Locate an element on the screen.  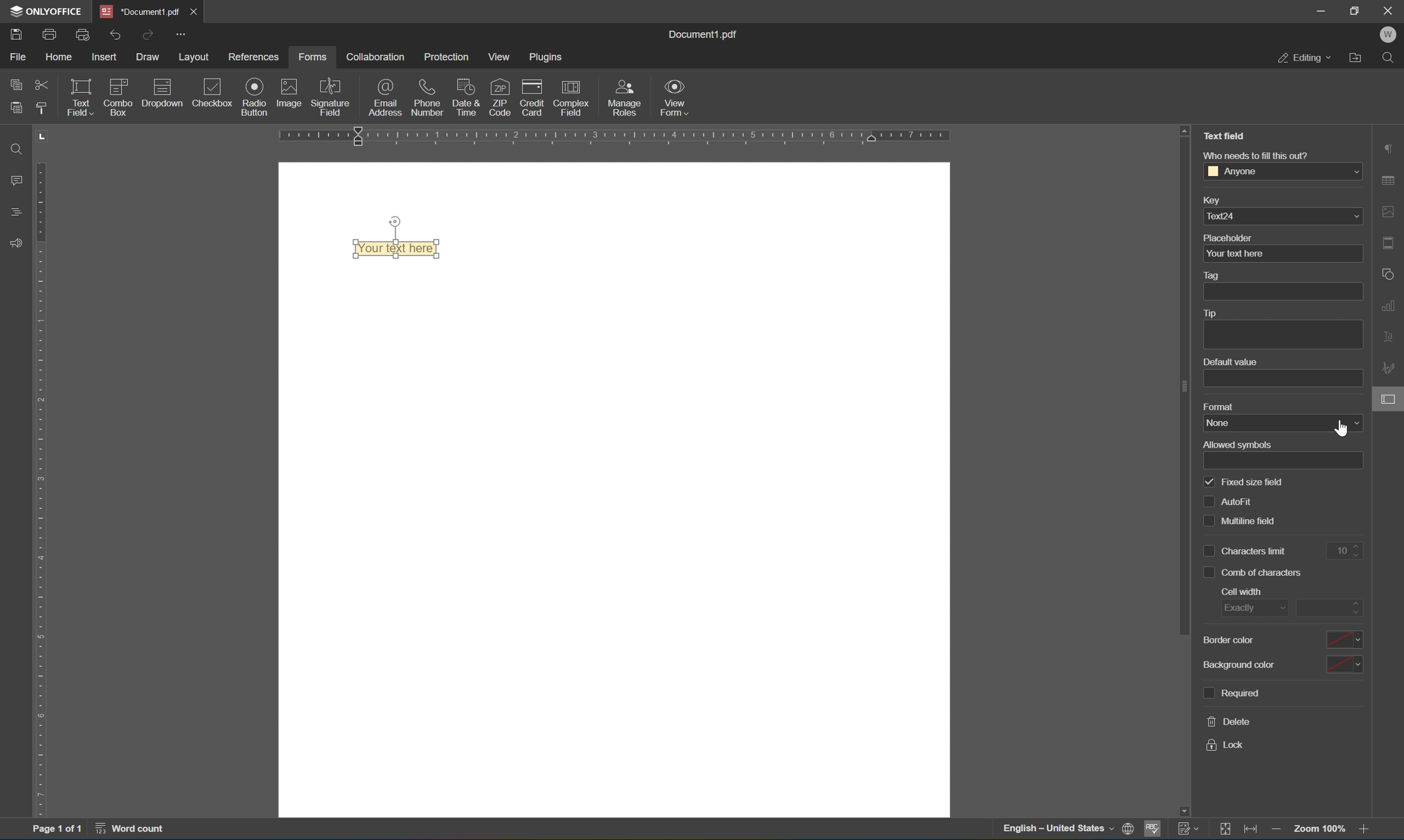
ONLYOFFICE is located at coordinates (46, 11).